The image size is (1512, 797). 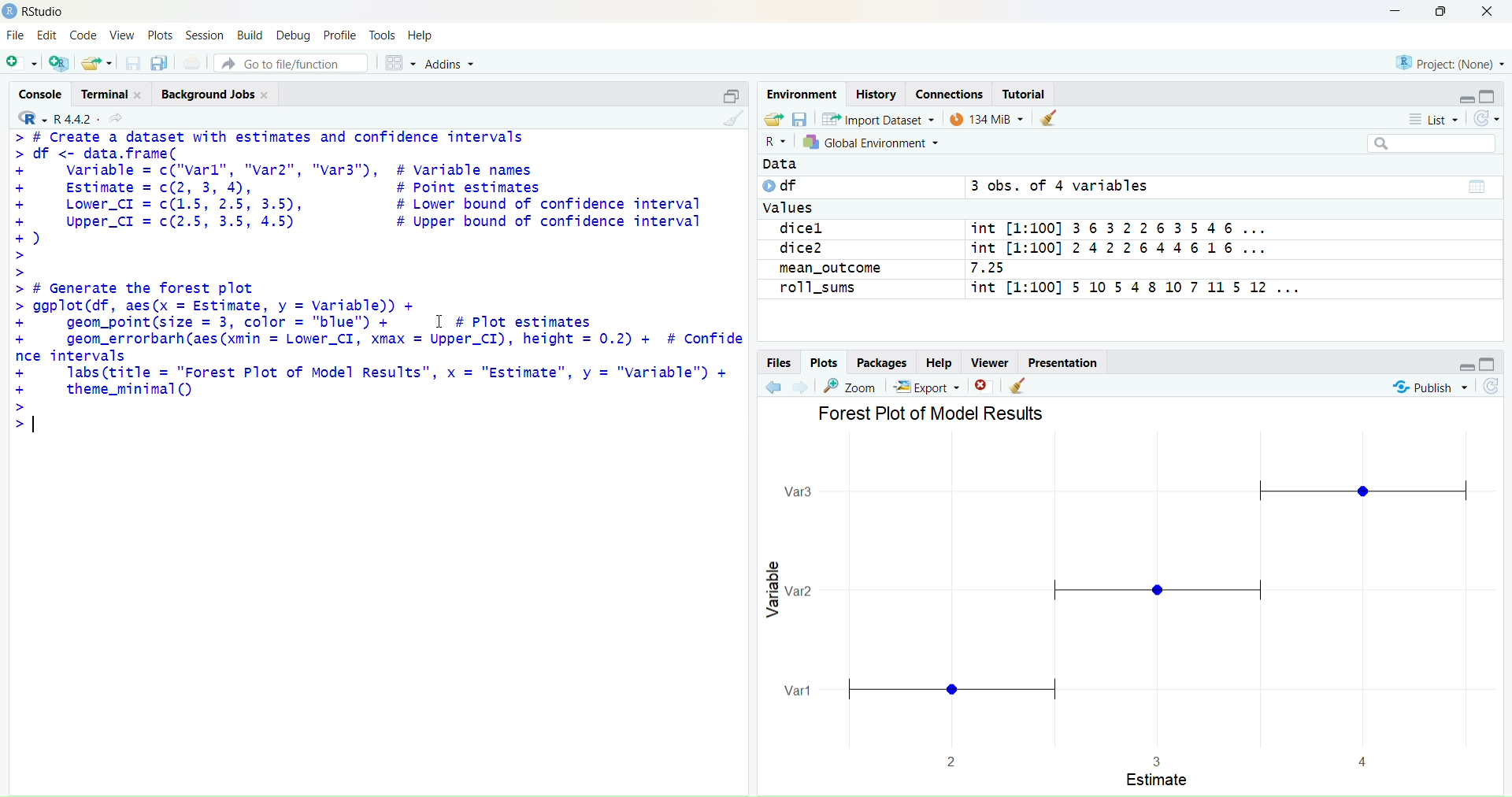 I want to click on Help, so click(x=421, y=36).